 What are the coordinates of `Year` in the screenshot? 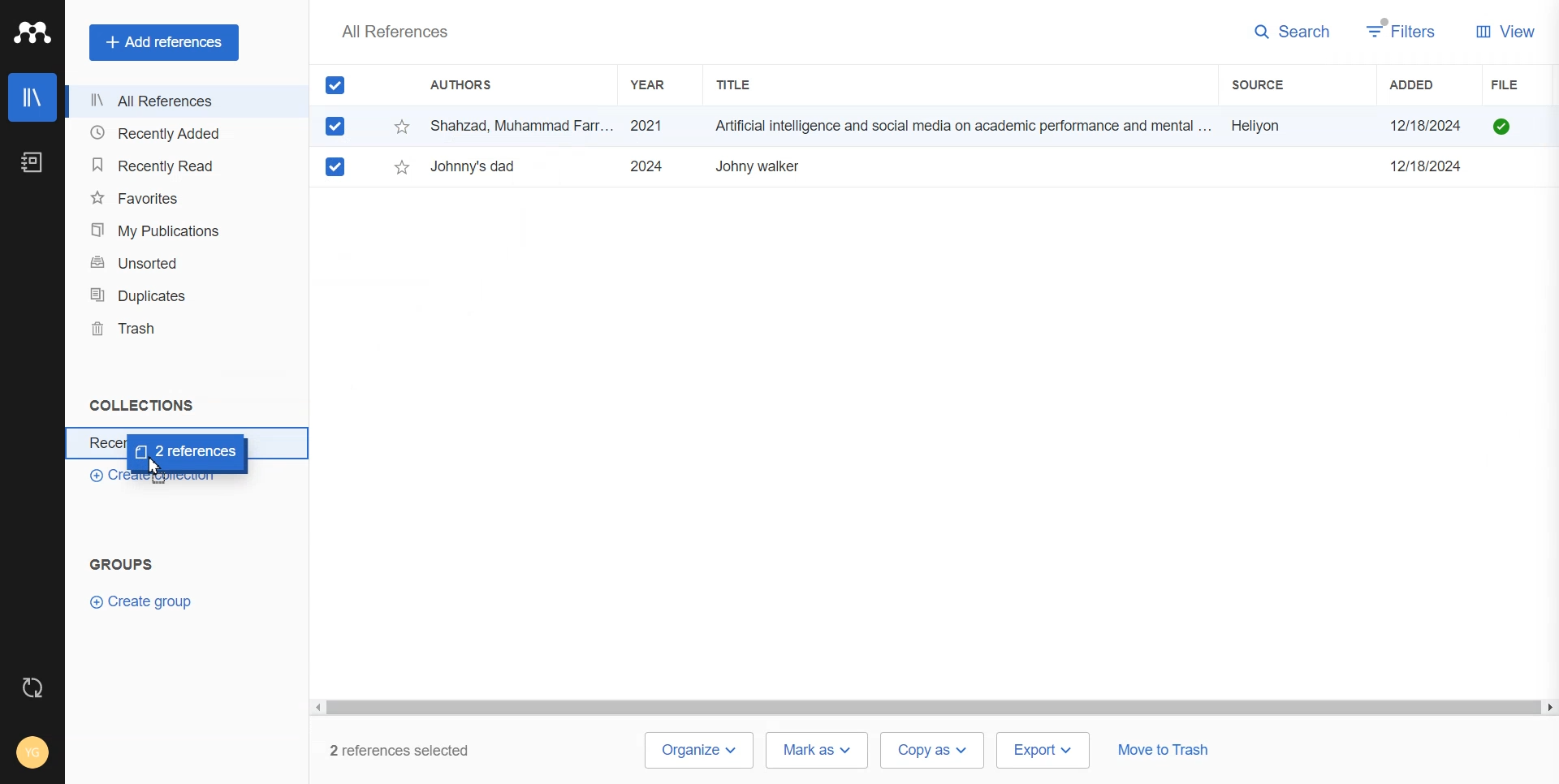 It's located at (655, 84).